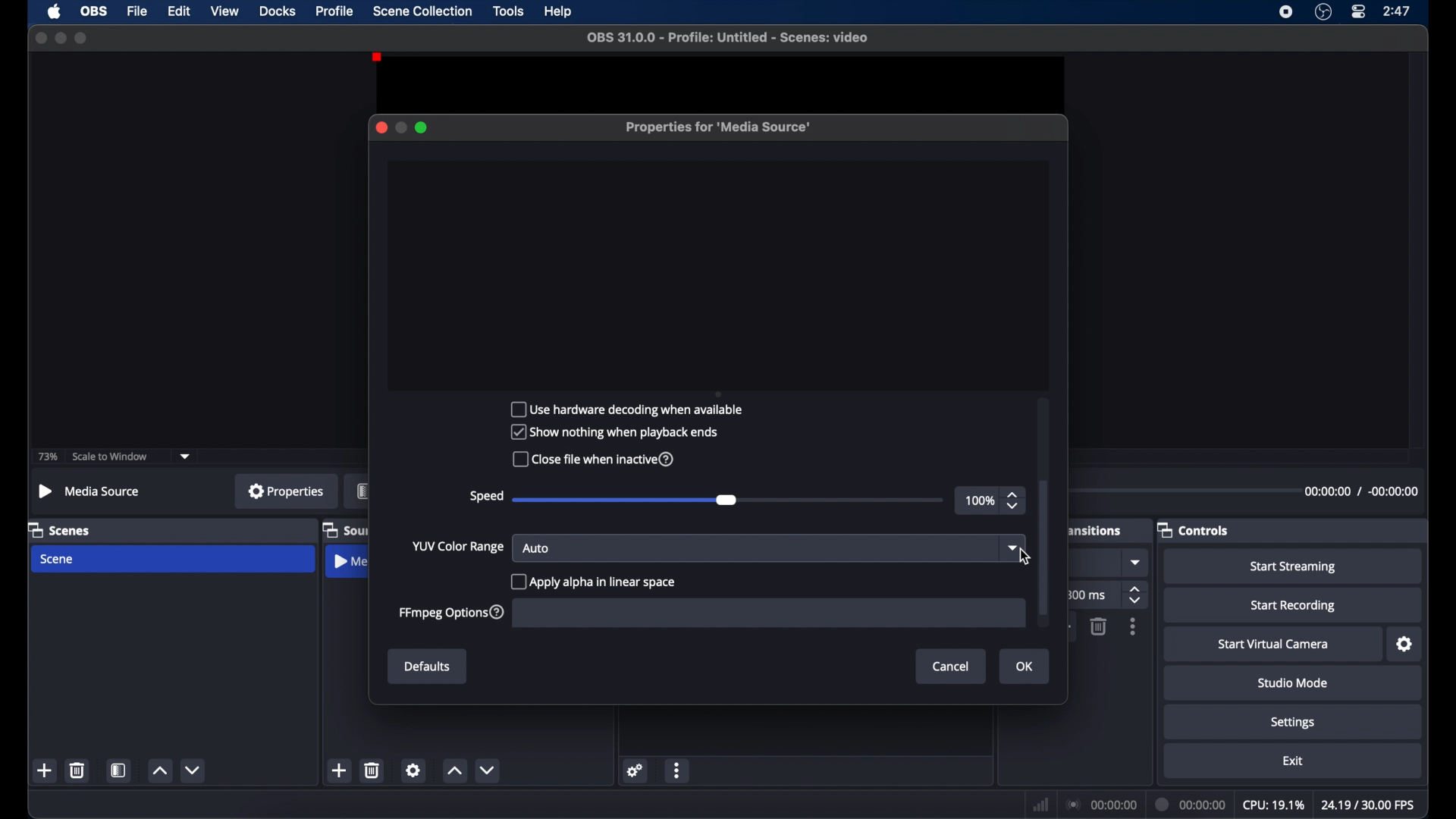 Image resolution: width=1456 pixels, height=819 pixels. Describe the element at coordinates (1293, 606) in the screenshot. I see `start recording` at that location.